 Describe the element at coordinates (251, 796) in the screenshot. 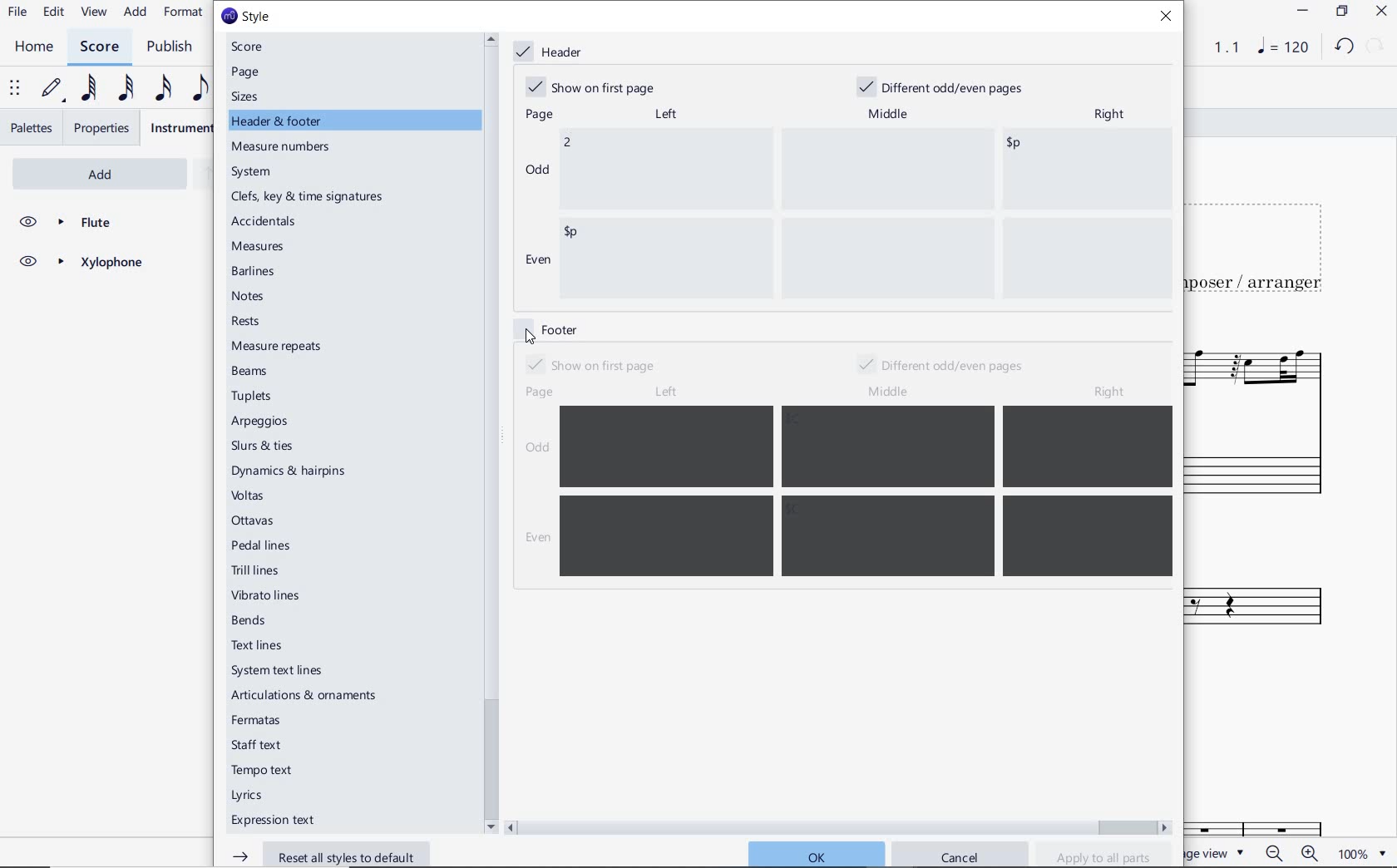

I see `Lyrics` at that location.